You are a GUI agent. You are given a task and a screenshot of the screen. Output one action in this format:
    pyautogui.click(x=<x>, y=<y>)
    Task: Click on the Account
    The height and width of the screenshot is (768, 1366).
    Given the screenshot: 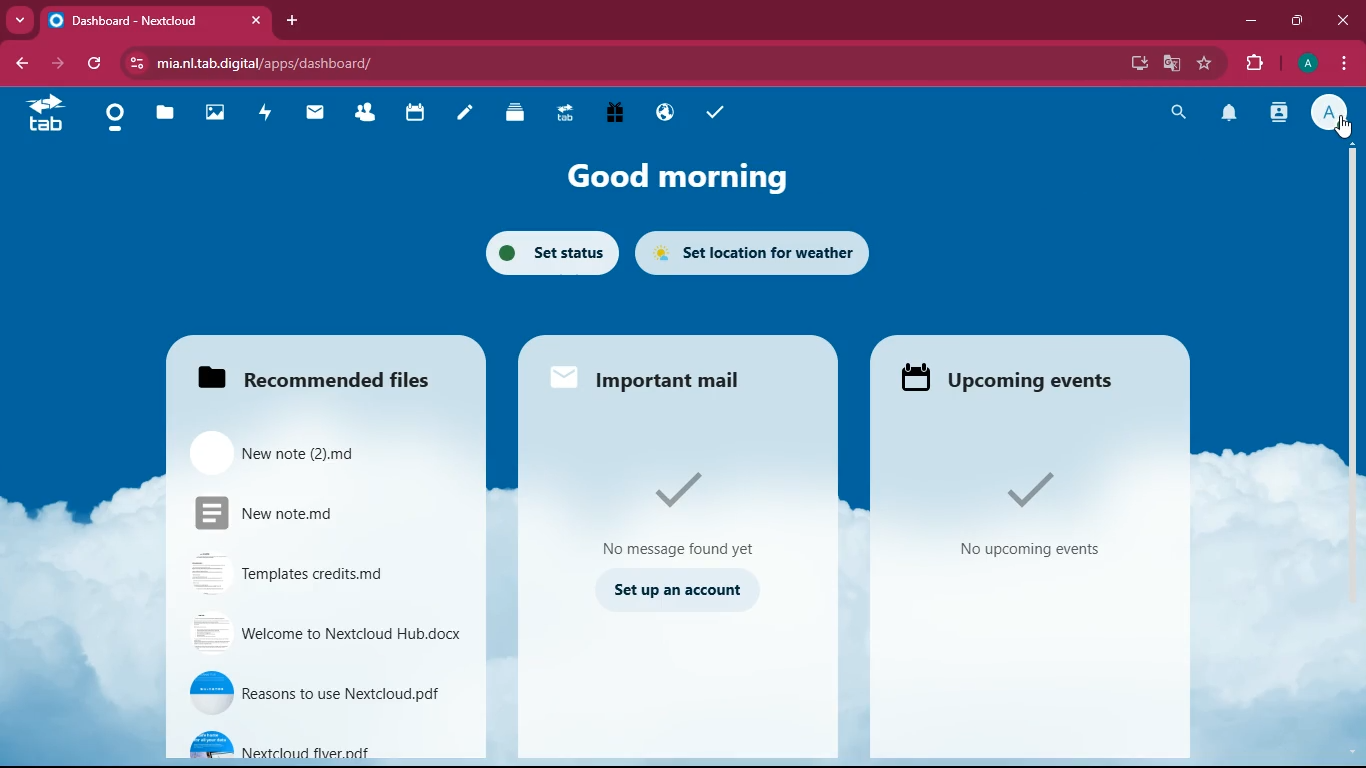 What is the action you would take?
    pyautogui.click(x=1306, y=64)
    